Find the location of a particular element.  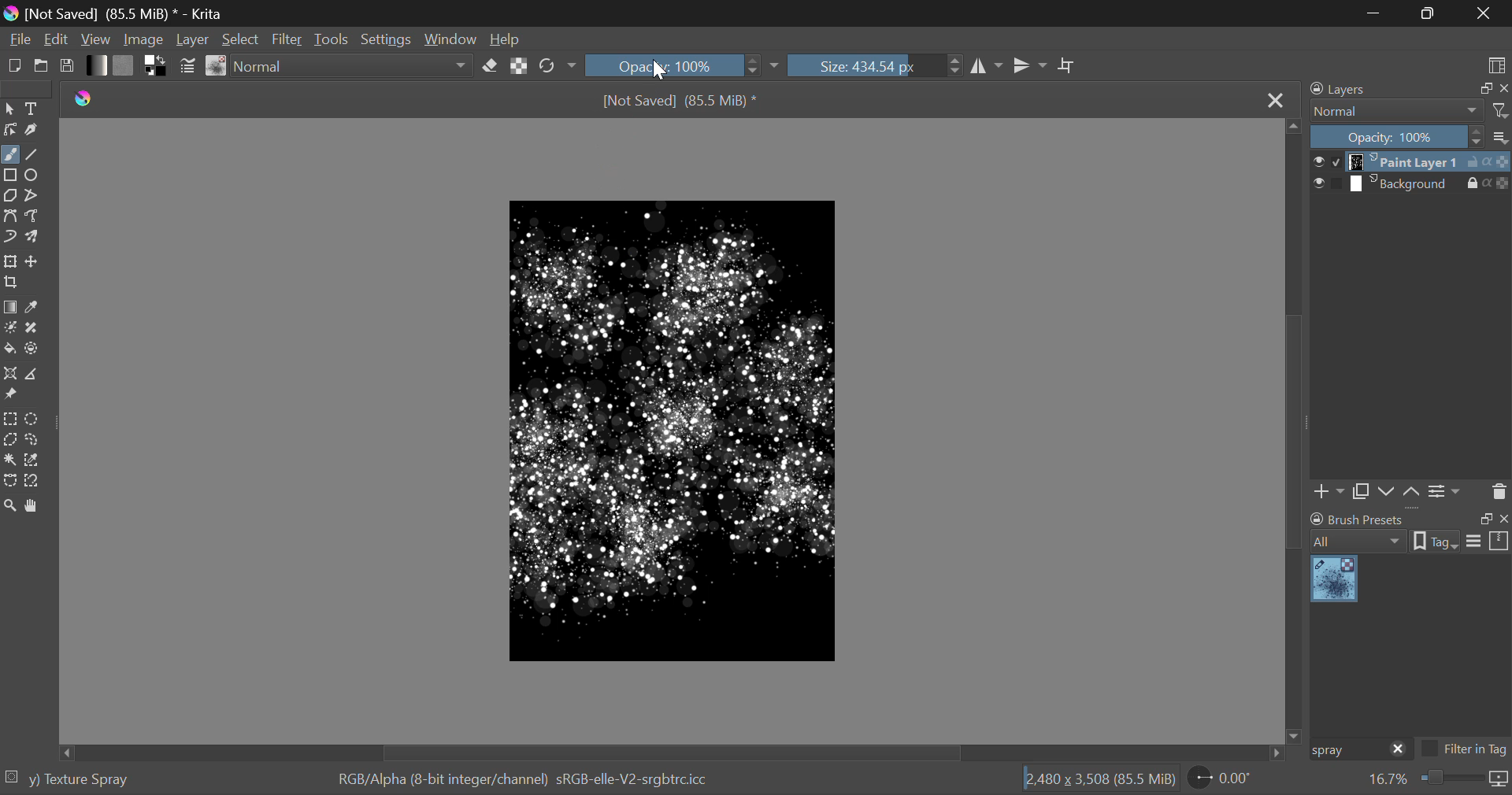

Circular Selection is located at coordinates (32, 419).